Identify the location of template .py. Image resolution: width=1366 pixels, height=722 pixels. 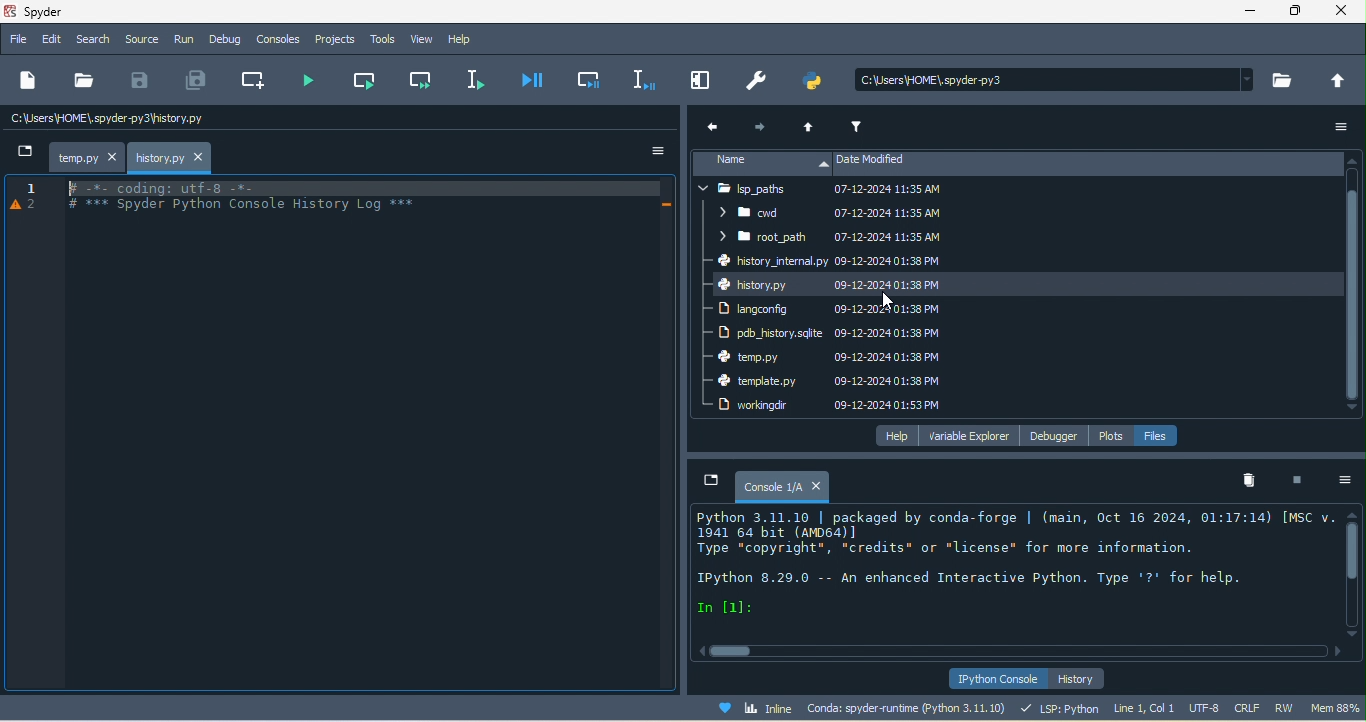
(760, 384).